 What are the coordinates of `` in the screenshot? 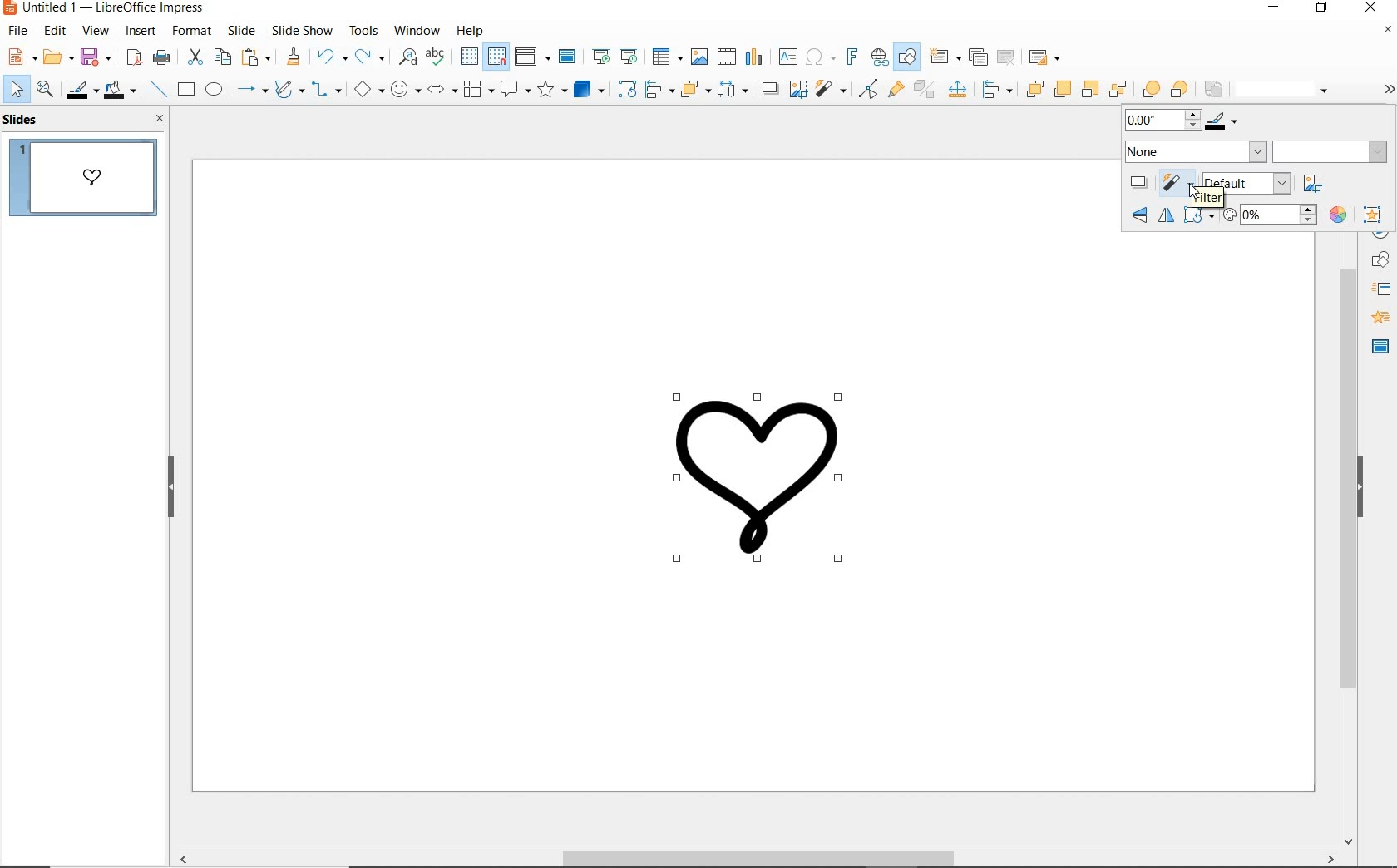 It's located at (957, 90).